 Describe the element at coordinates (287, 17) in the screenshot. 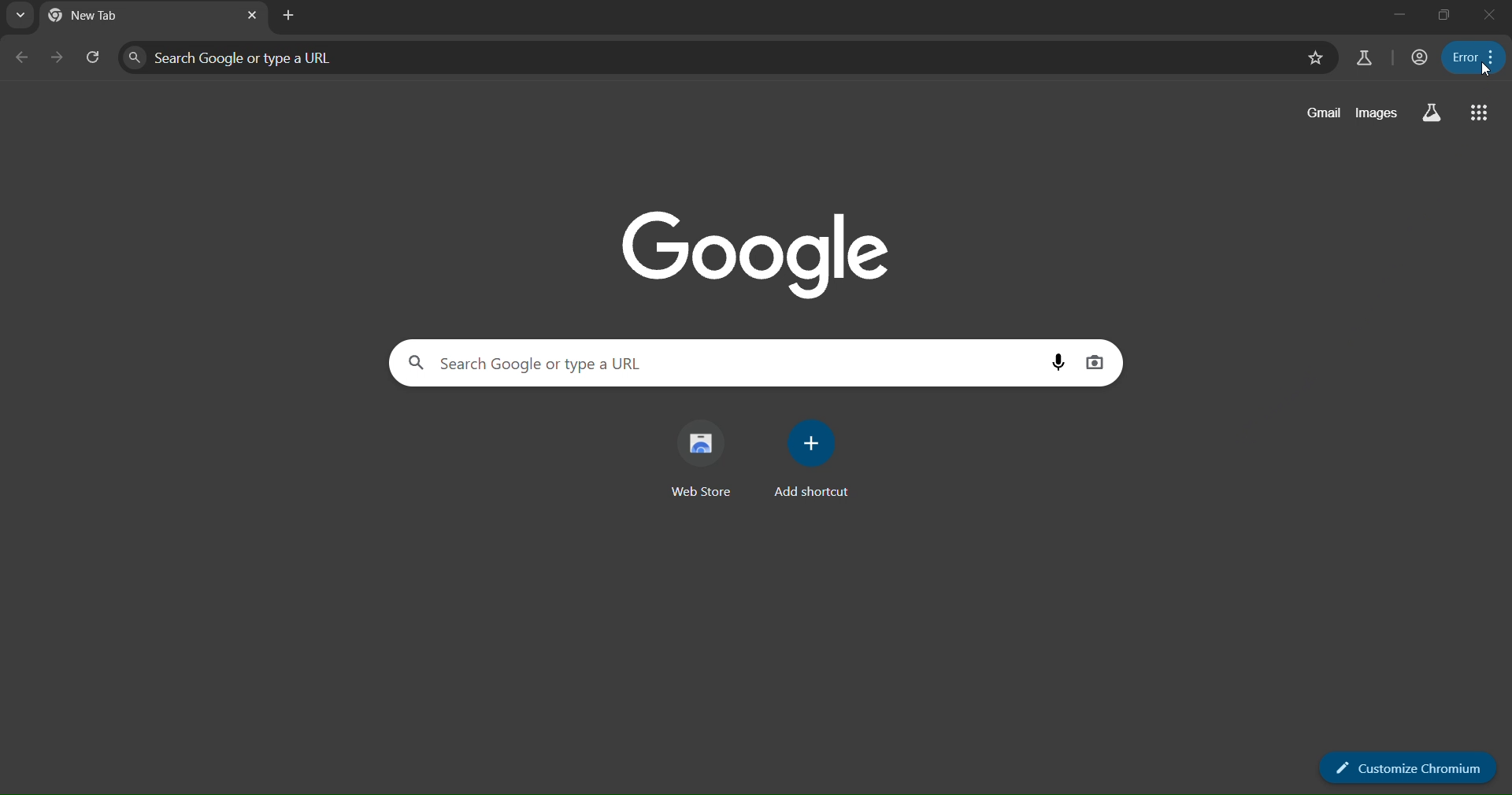

I see `new tab` at that location.